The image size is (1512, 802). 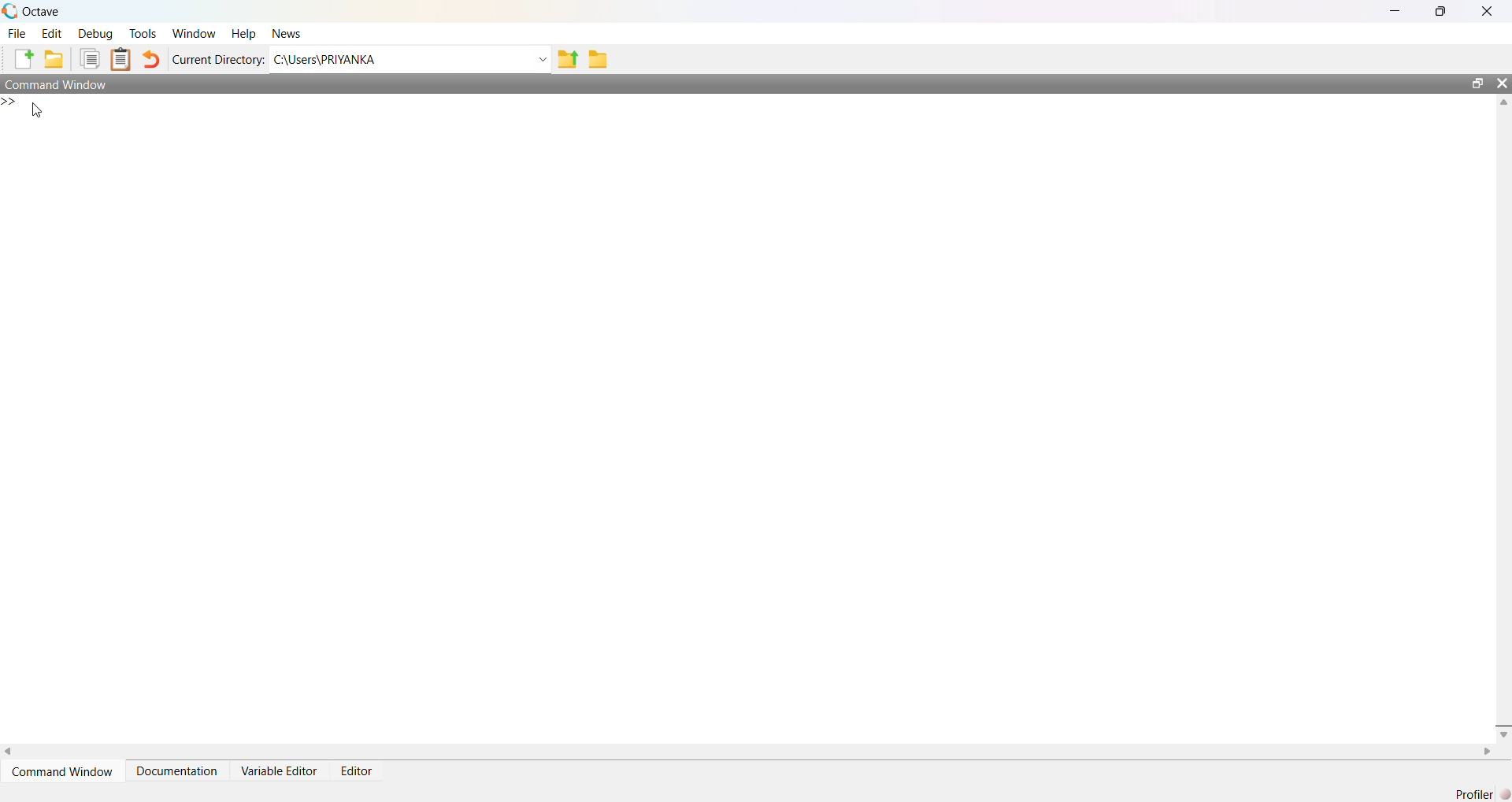 I want to click on tools, so click(x=144, y=35).